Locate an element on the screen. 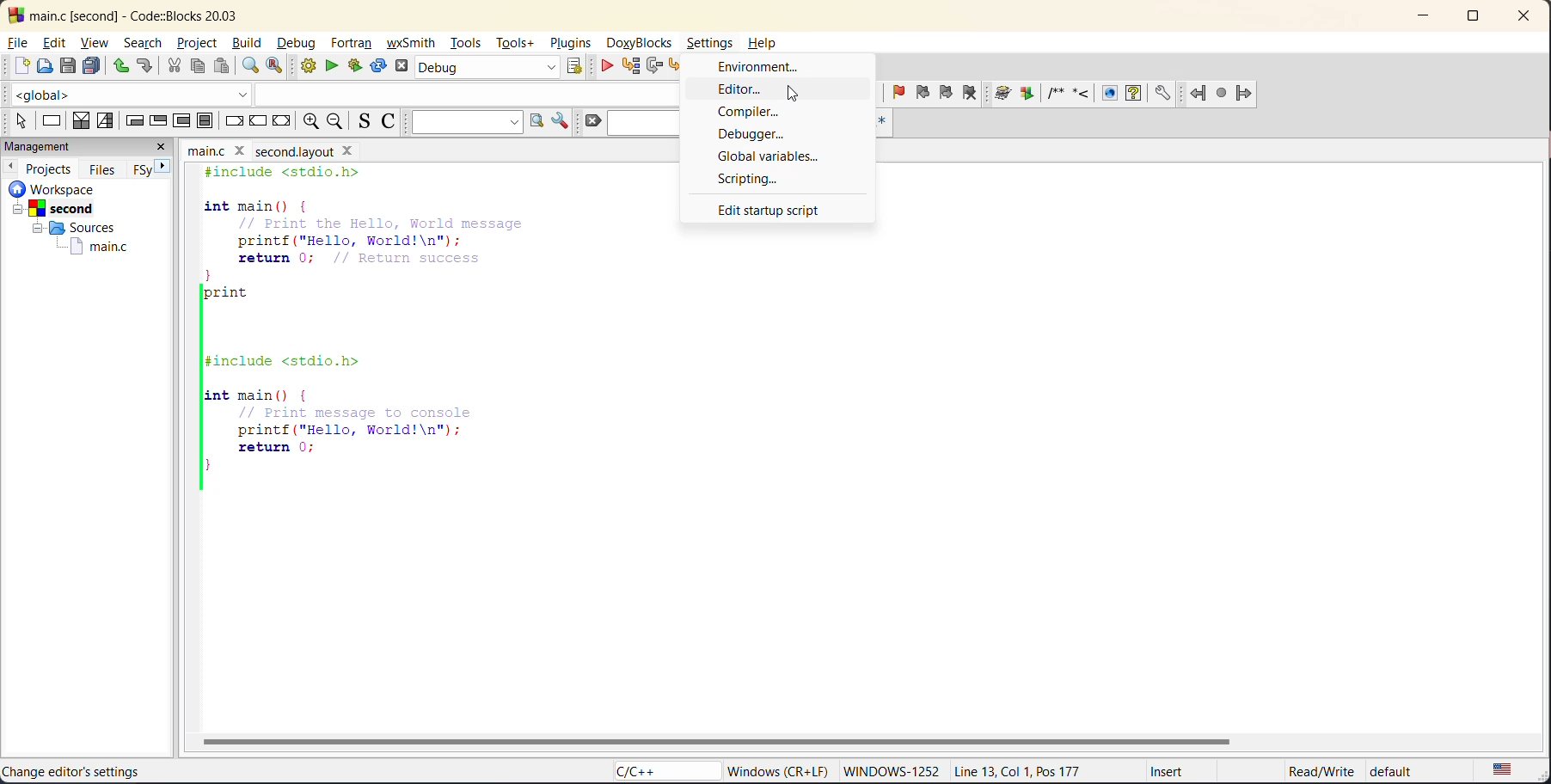 This screenshot has width=1551, height=784. paste is located at coordinates (221, 66).